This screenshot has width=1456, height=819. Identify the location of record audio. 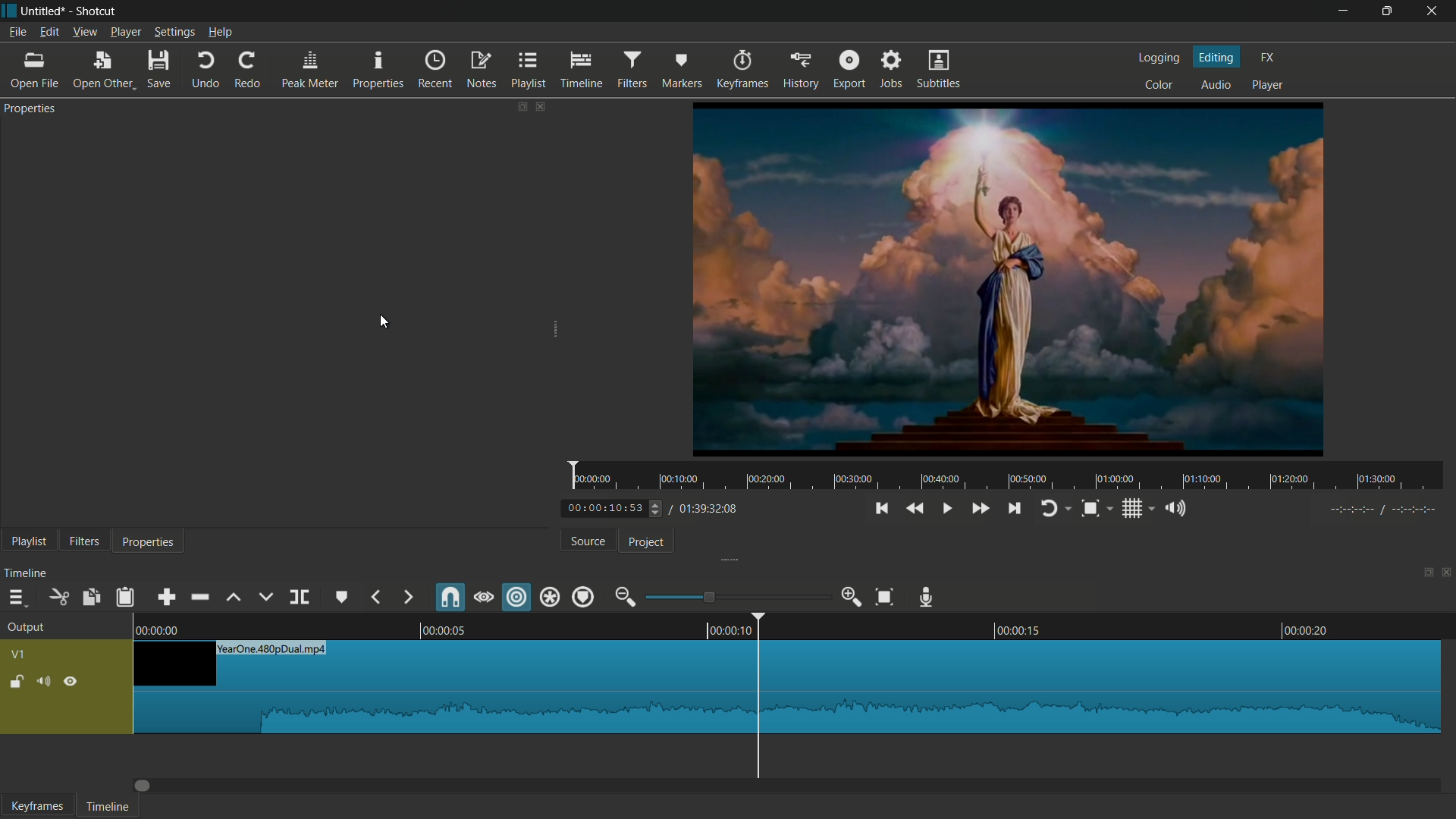
(927, 598).